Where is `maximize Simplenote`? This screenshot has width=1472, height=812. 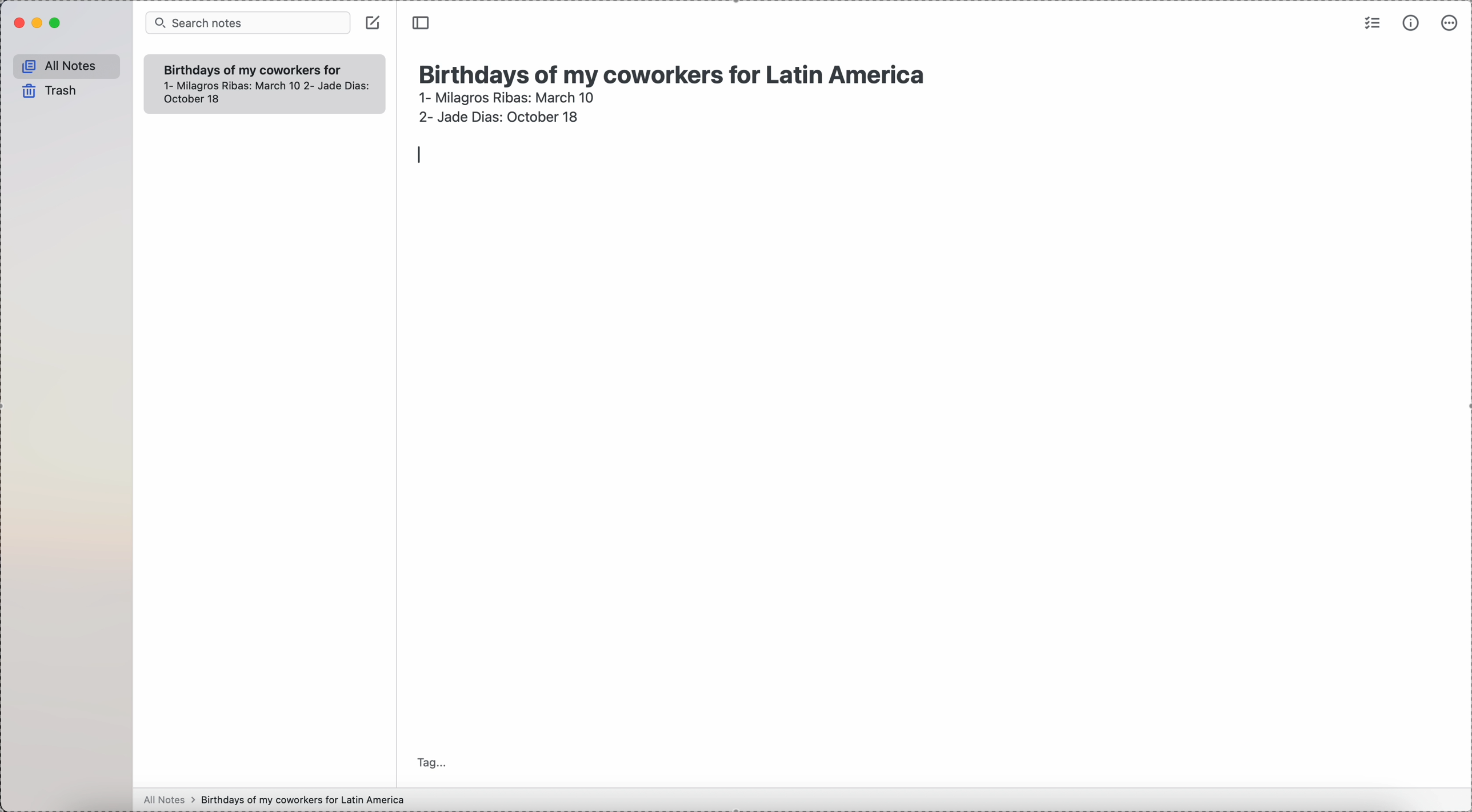 maximize Simplenote is located at coordinates (56, 23).